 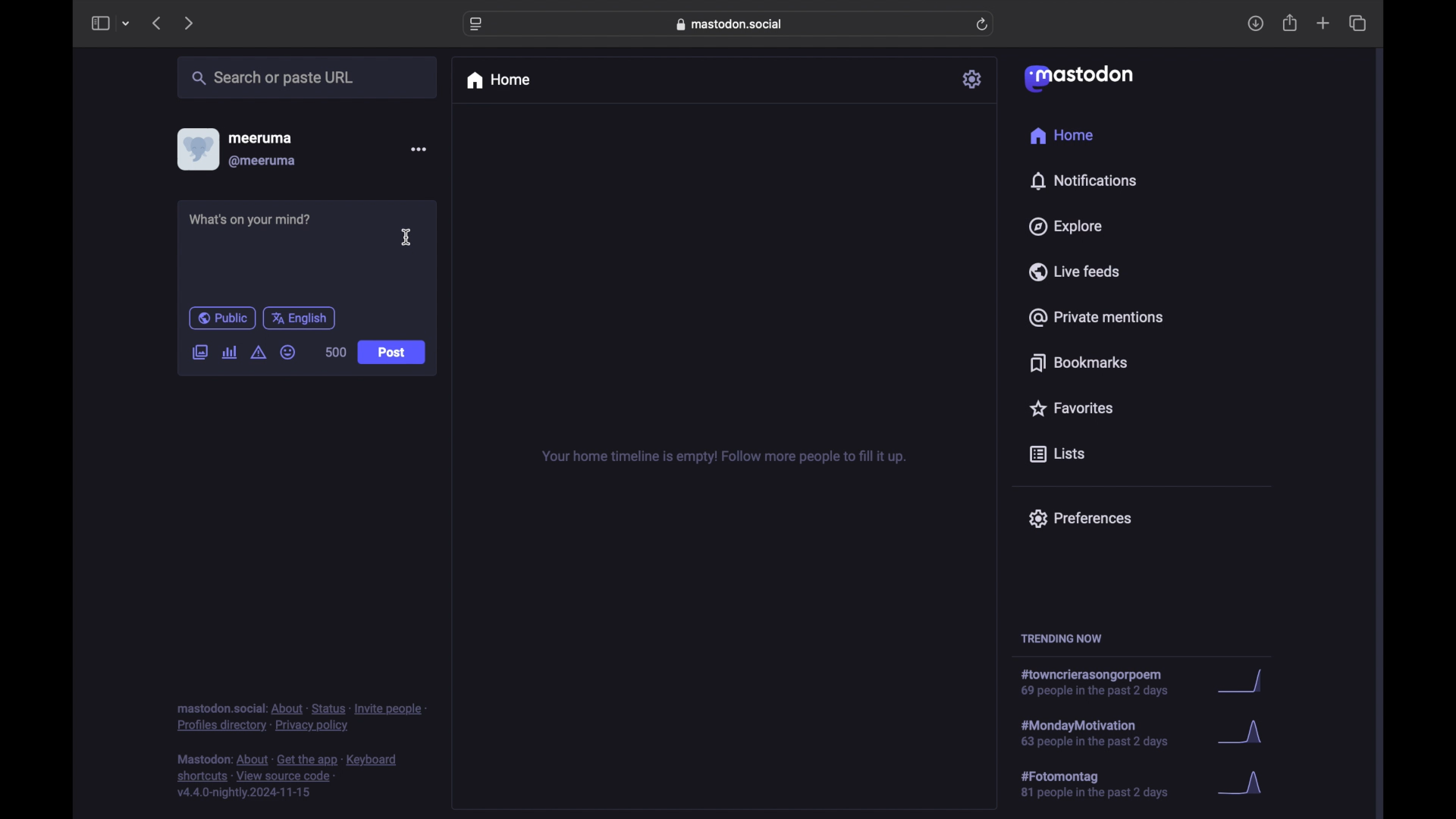 I want to click on emoji, so click(x=288, y=353).